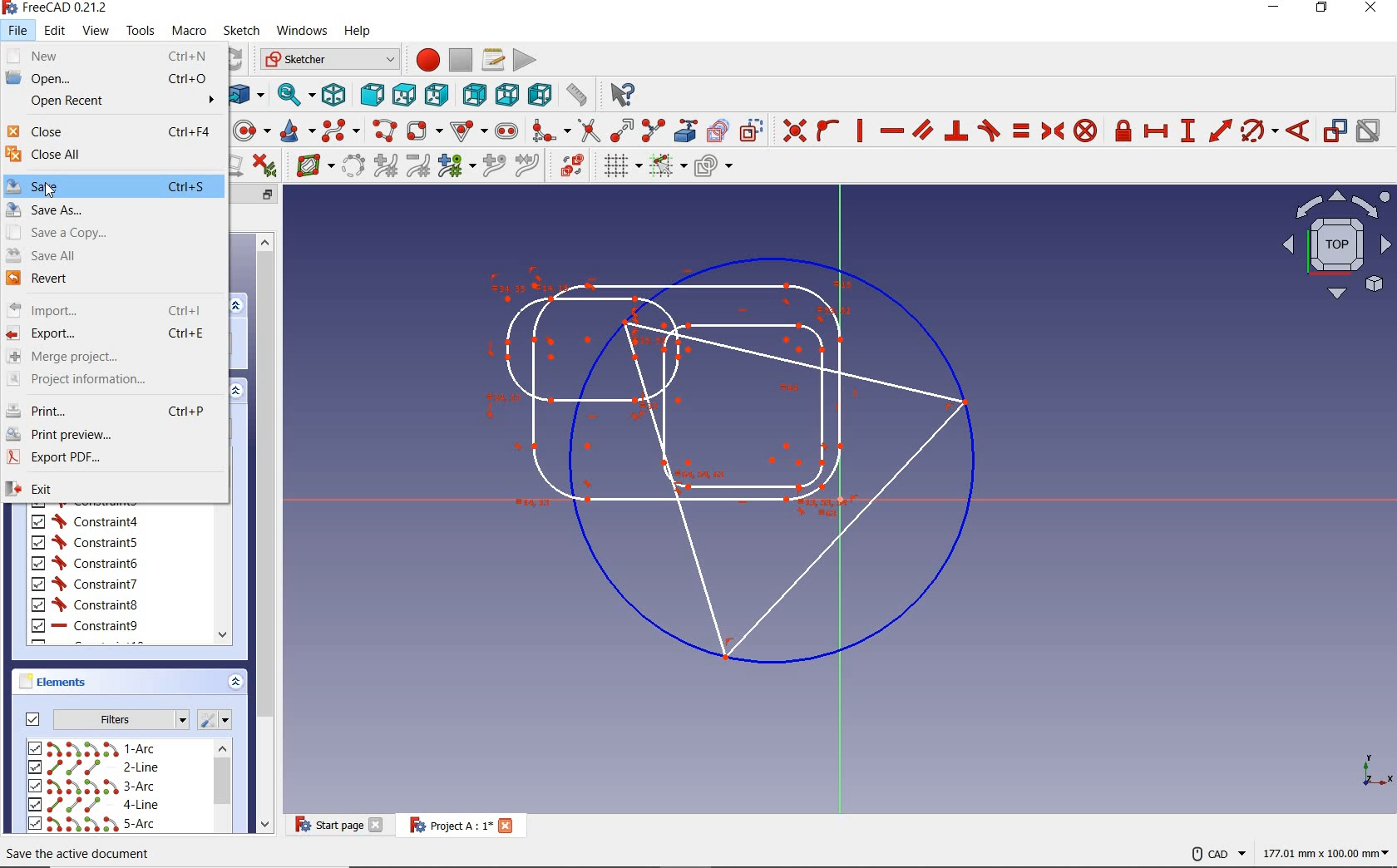 The height and width of the screenshot is (868, 1397). What do you see at coordinates (550, 131) in the screenshot?
I see `create fillet` at bounding box center [550, 131].